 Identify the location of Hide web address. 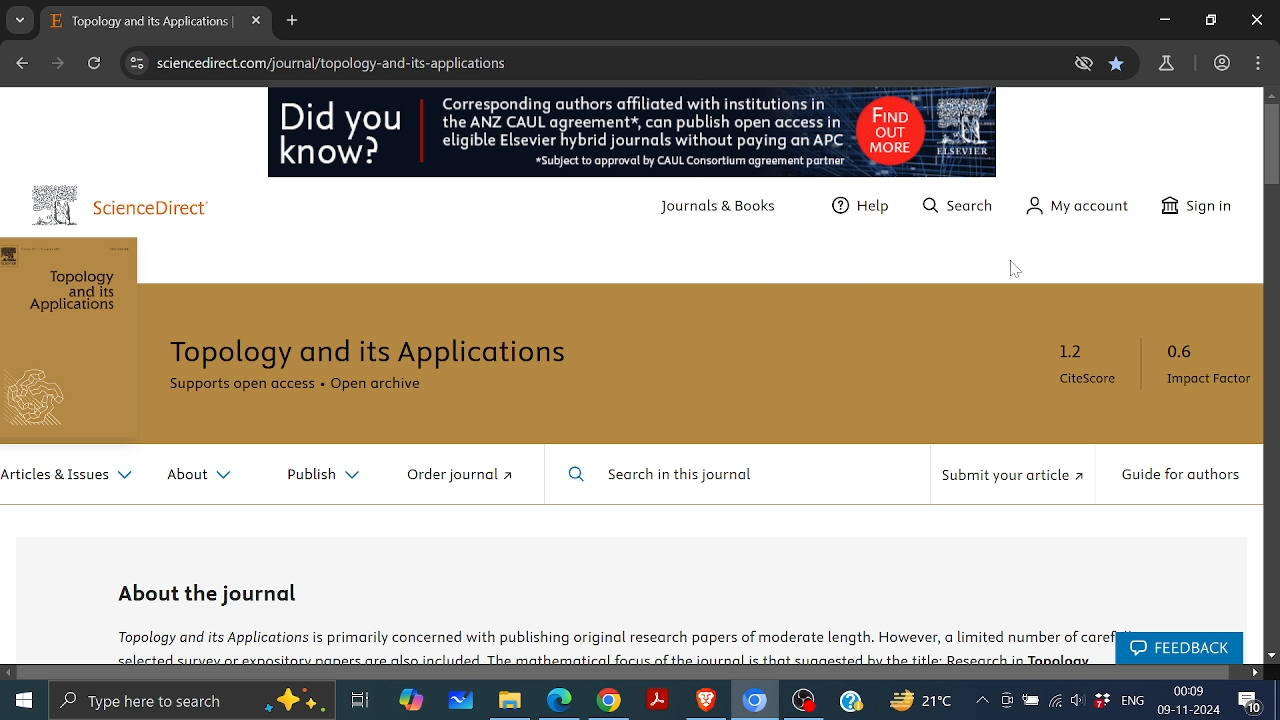
(1083, 64).